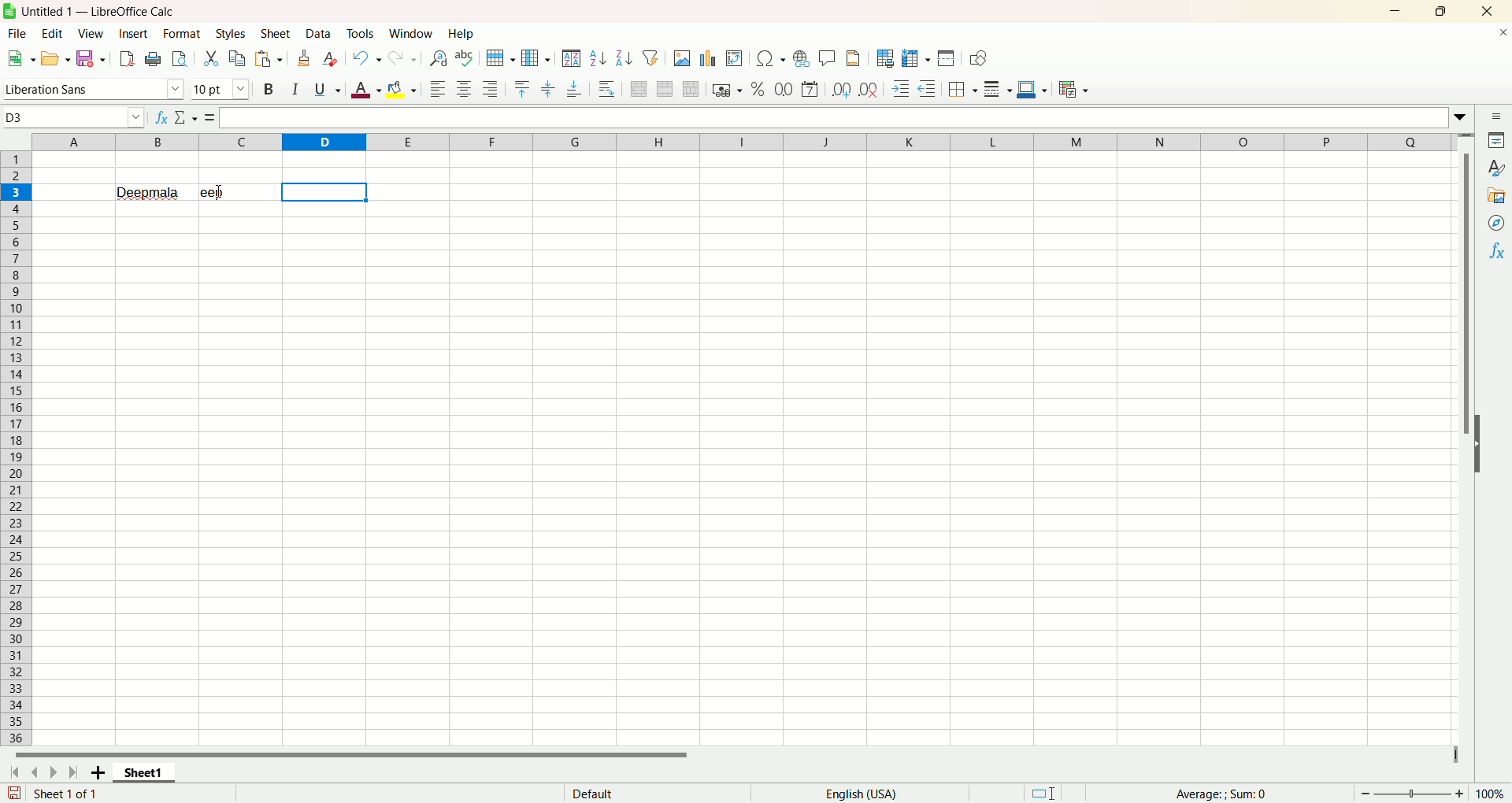 The height and width of the screenshot is (803, 1512). I want to click on Pivot table, so click(735, 59).